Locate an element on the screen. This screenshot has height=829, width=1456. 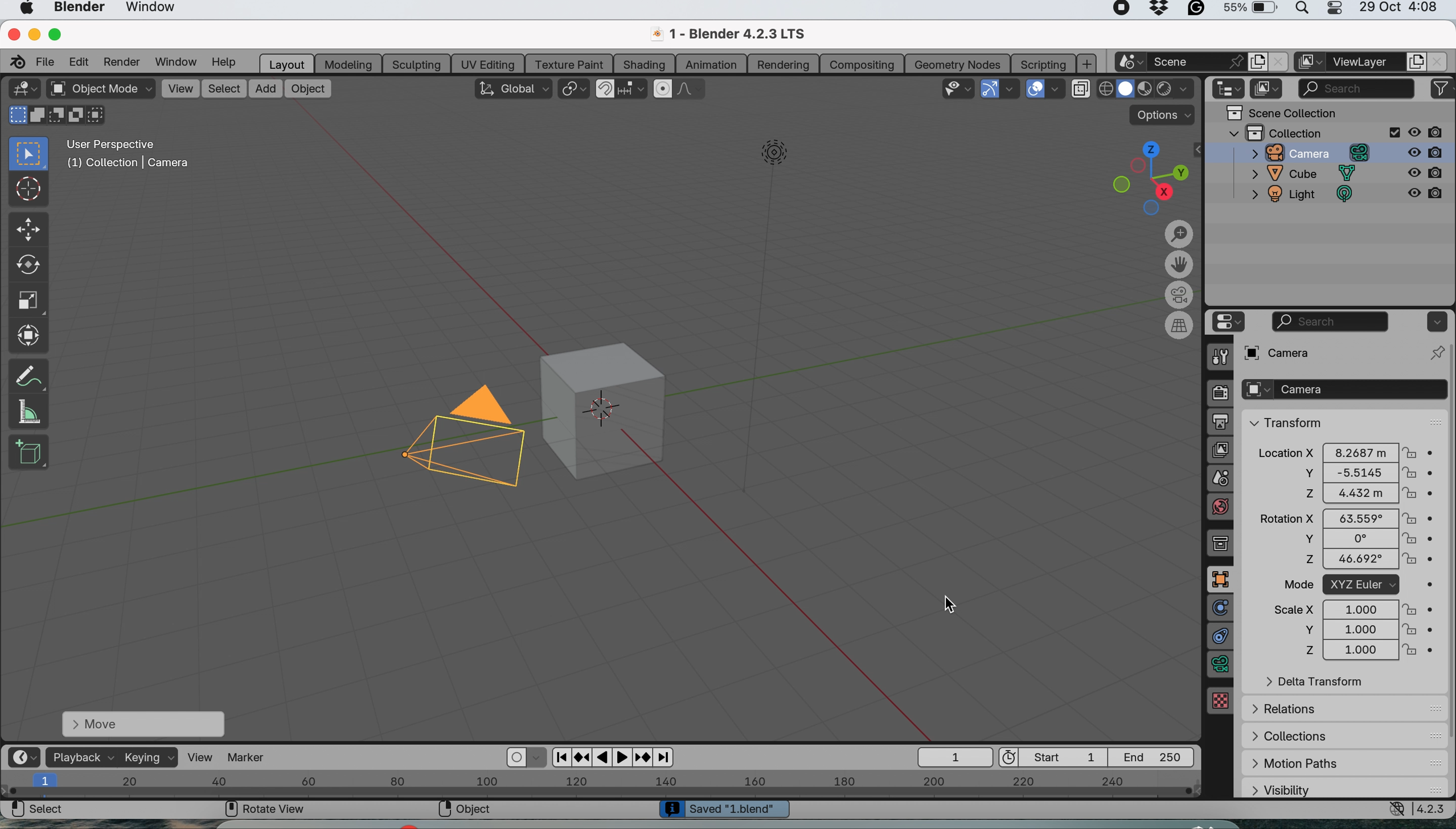
switch current view is located at coordinates (1177, 327).